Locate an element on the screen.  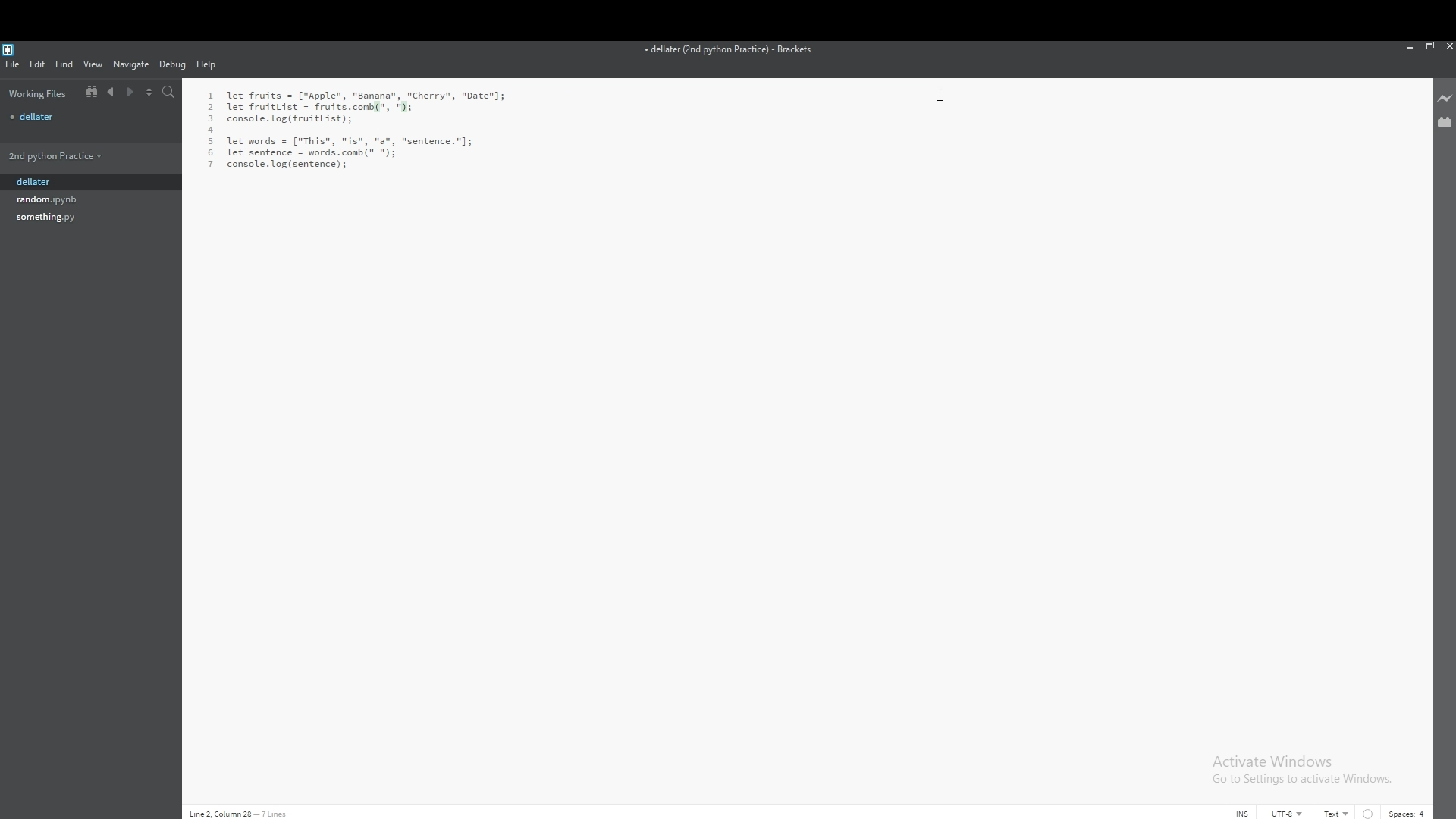
Activate Windows
Go to Settings to activate Windows. is located at coordinates (1304, 770).